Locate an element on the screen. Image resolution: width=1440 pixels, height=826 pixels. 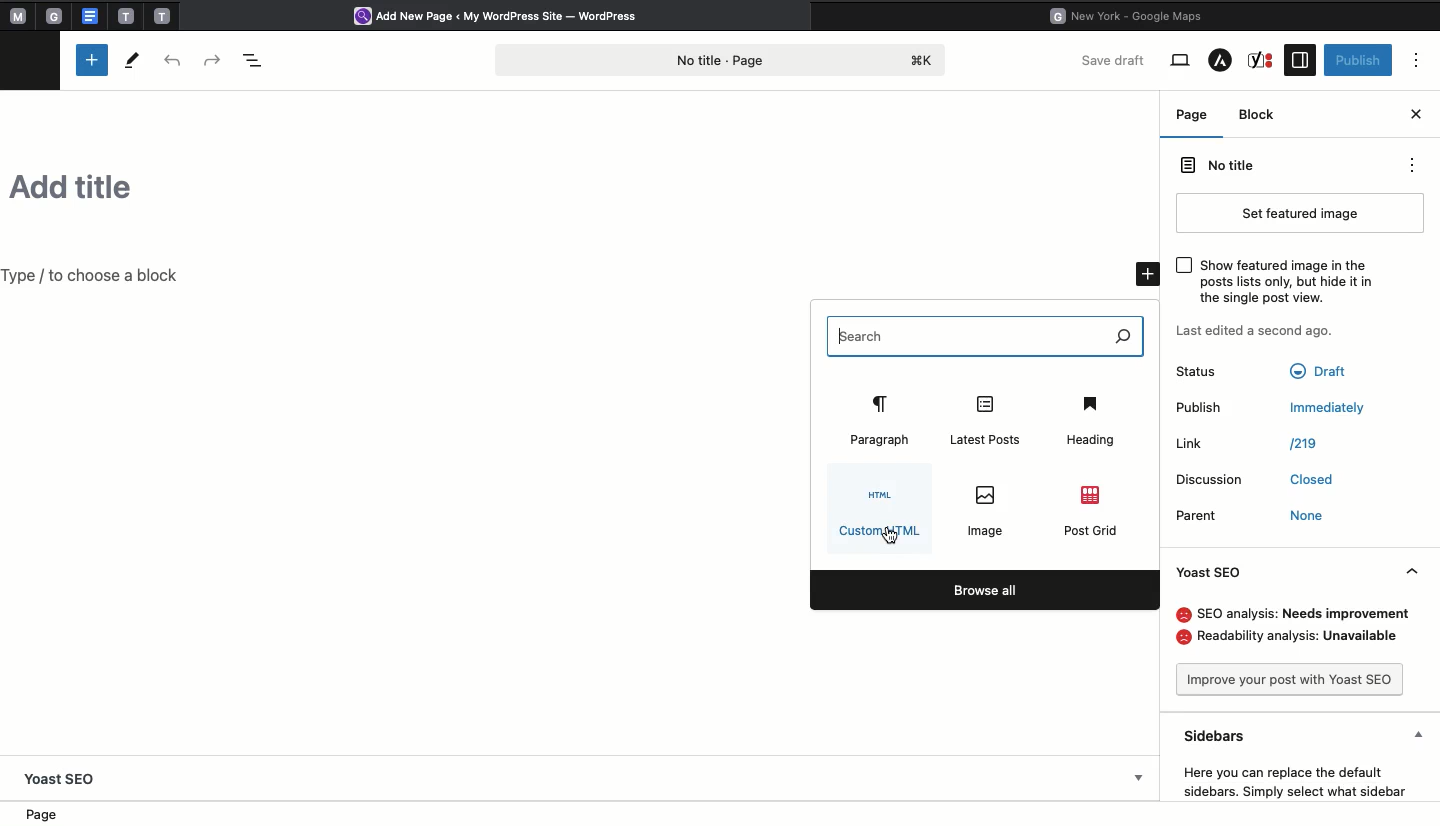
Add new block is located at coordinates (92, 60).